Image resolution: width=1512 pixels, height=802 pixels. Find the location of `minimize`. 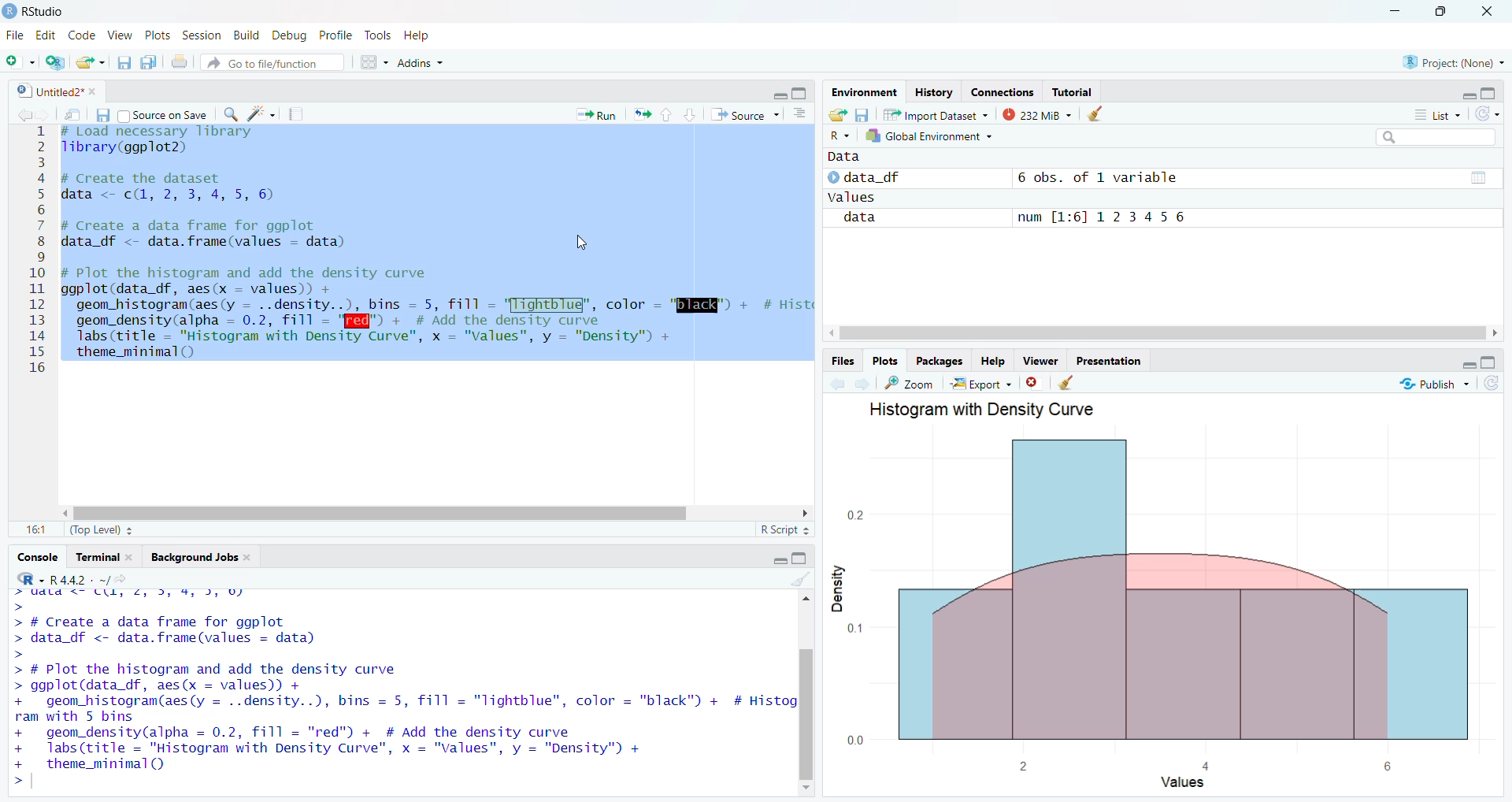

minimize is located at coordinates (1470, 366).